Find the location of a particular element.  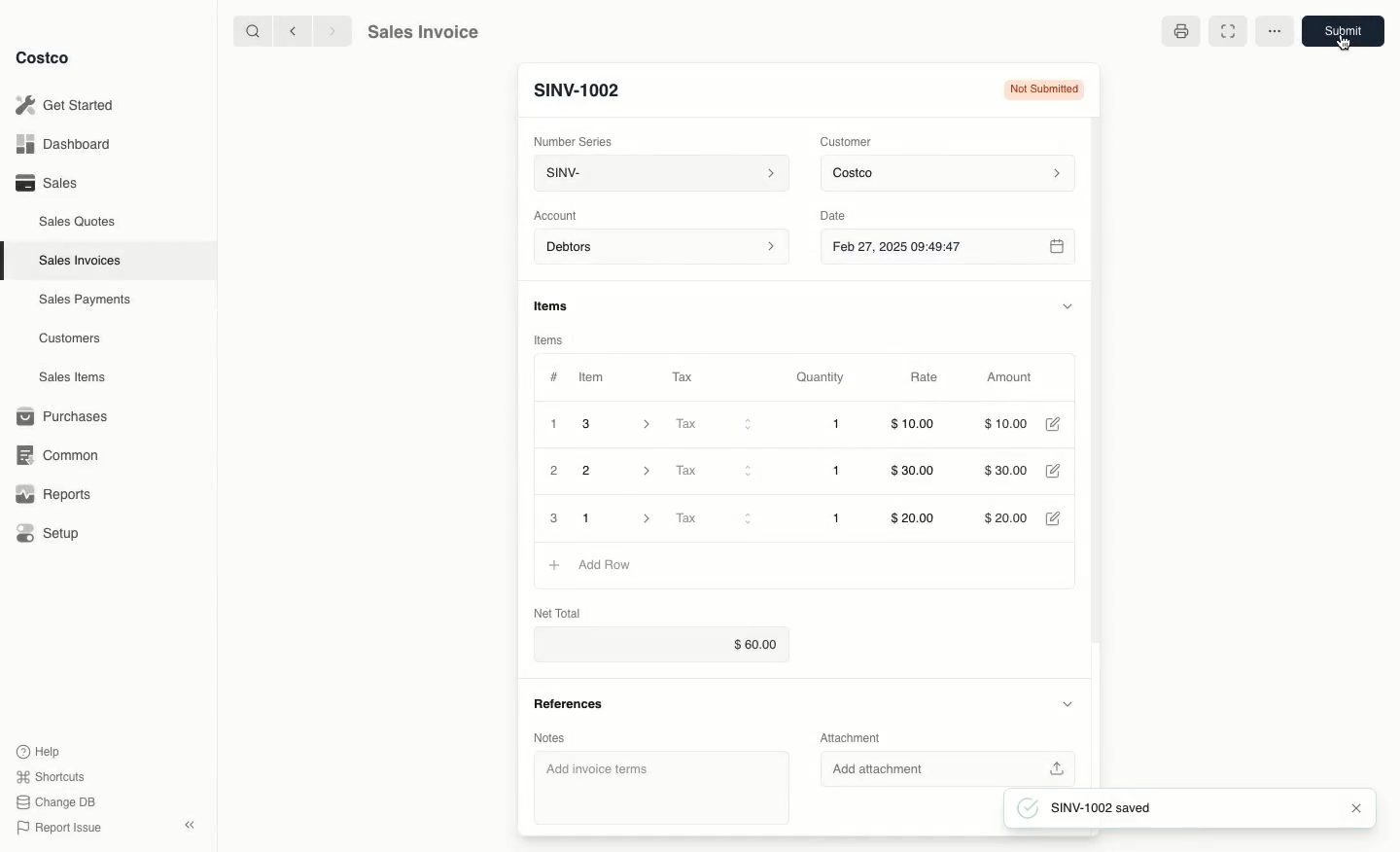

Full width toggle is located at coordinates (1231, 30).